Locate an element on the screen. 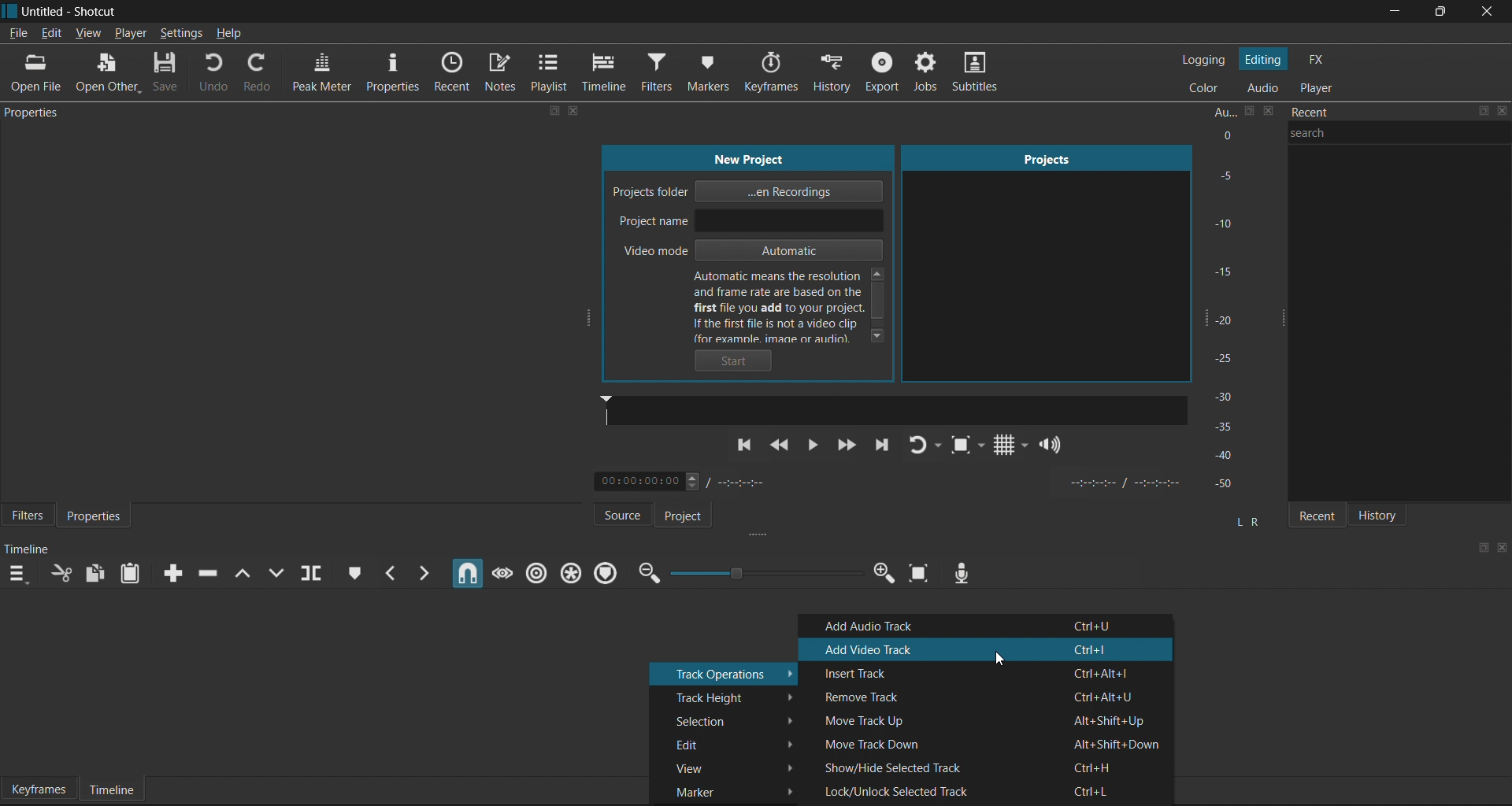  Project is located at coordinates (695, 516).